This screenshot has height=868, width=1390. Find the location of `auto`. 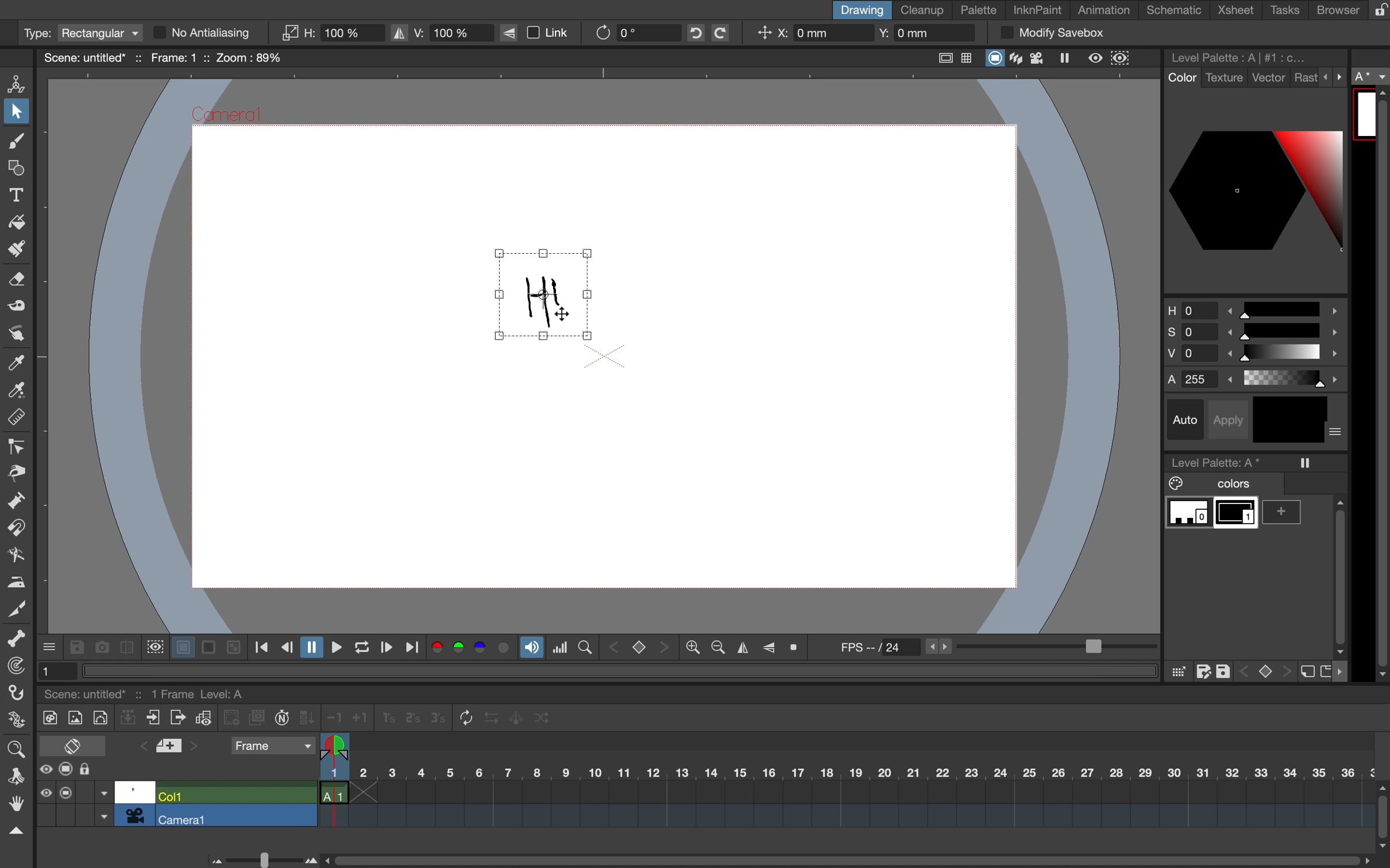

auto is located at coordinates (1187, 420).